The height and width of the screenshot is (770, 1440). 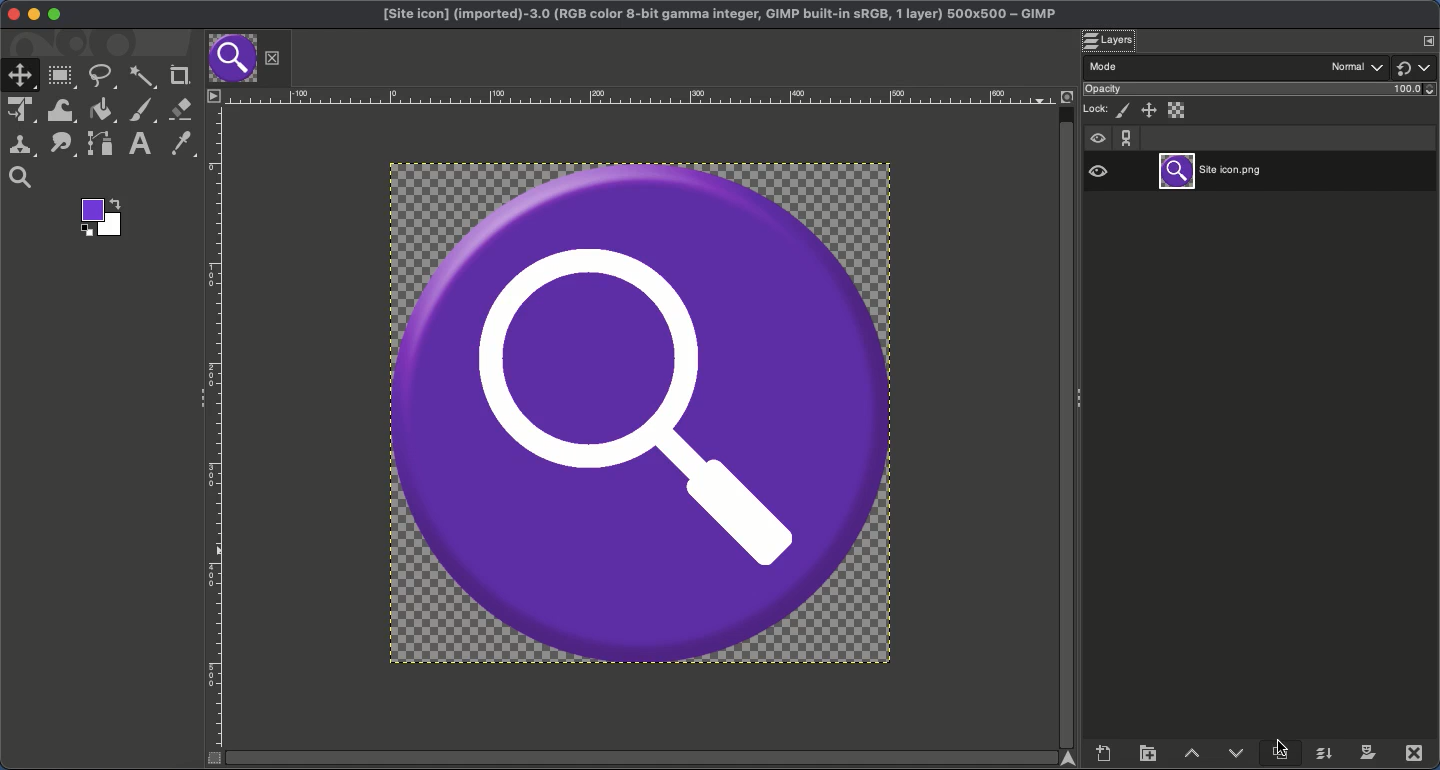 I want to click on GIMP project, so click(x=725, y=16).